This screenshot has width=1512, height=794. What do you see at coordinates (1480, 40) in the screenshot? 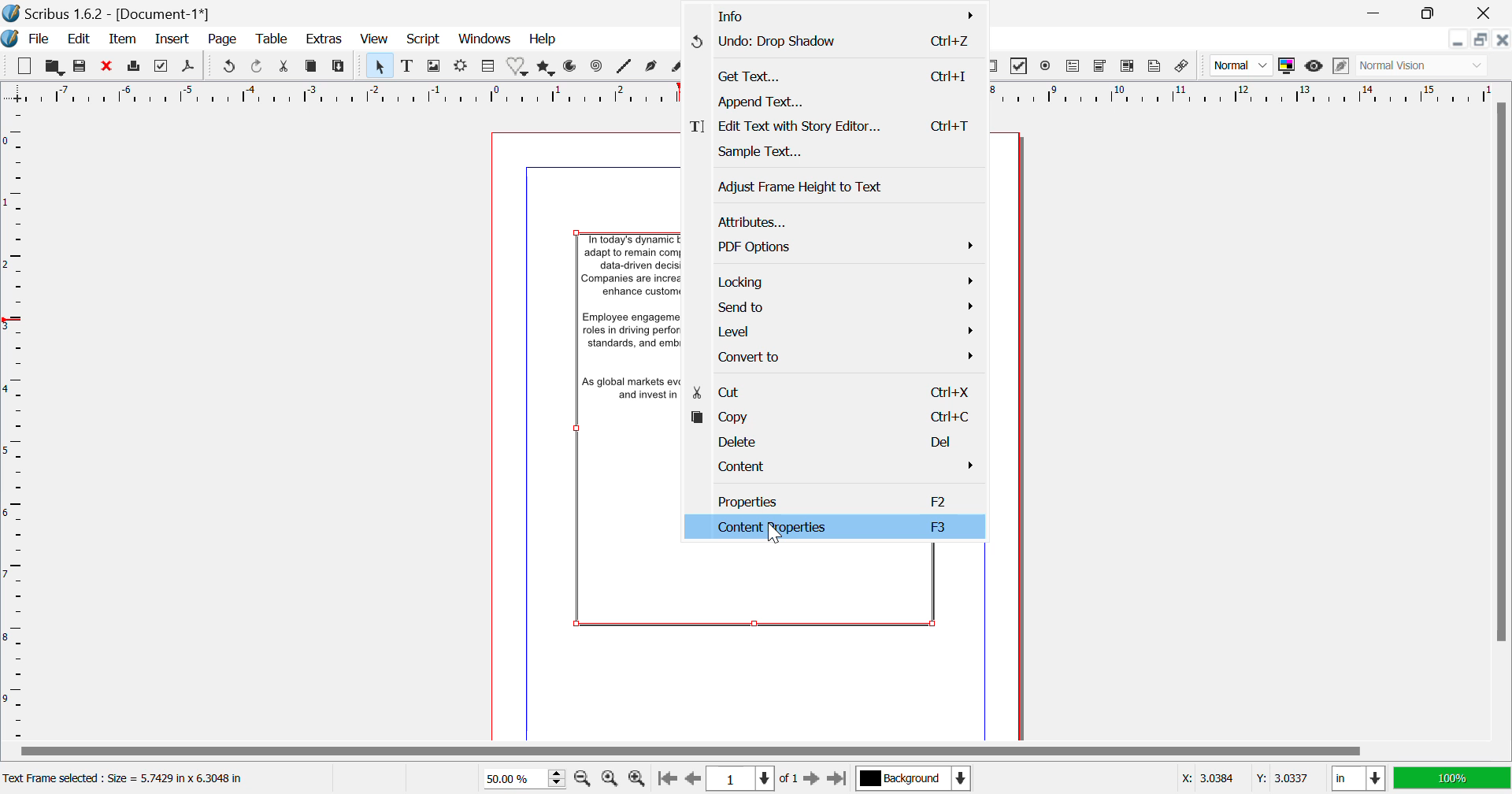
I see `Minimize` at bounding box center [1480, 40].